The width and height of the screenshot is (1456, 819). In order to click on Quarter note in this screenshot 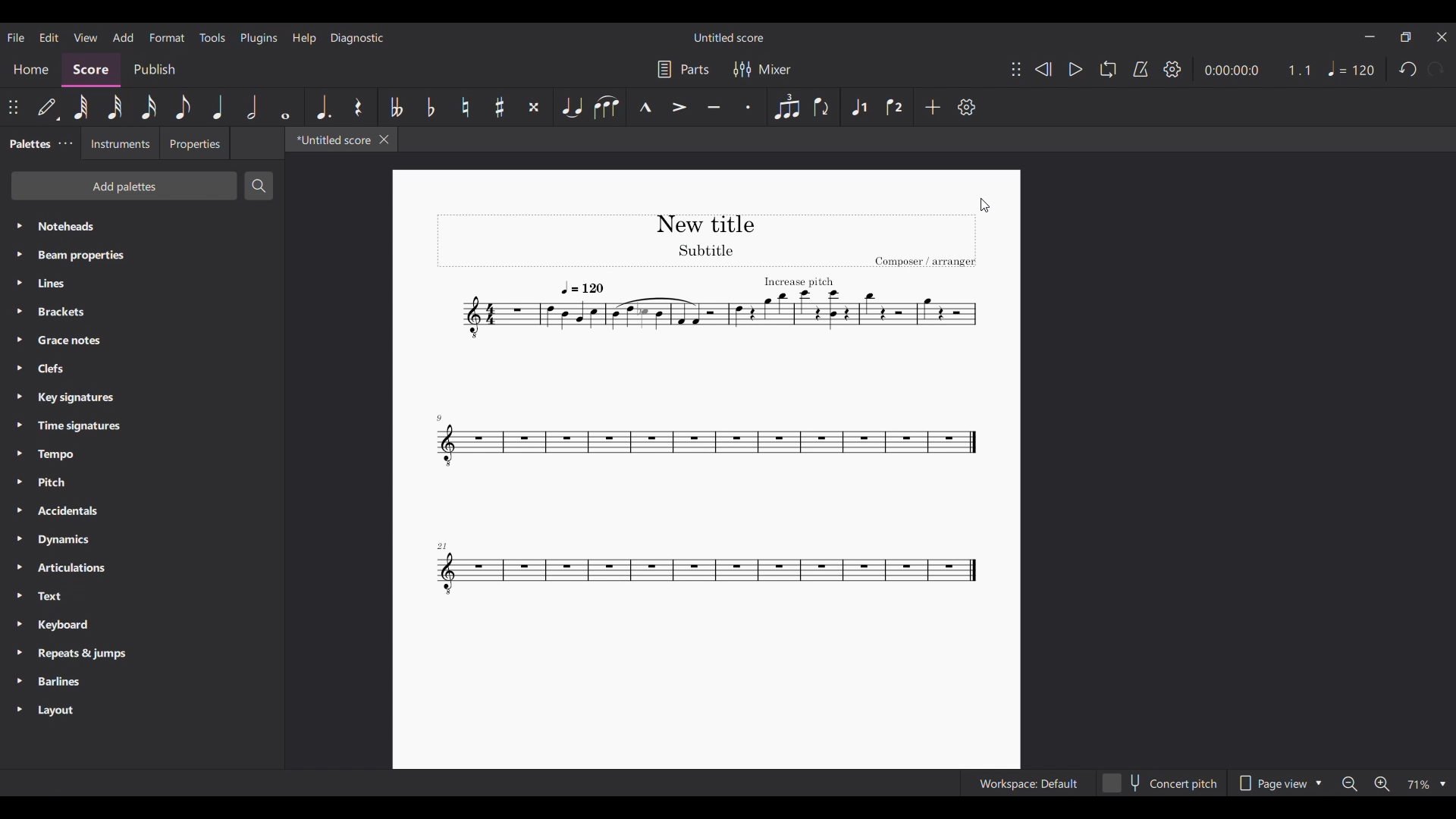, I will do `click(218, 107)`.